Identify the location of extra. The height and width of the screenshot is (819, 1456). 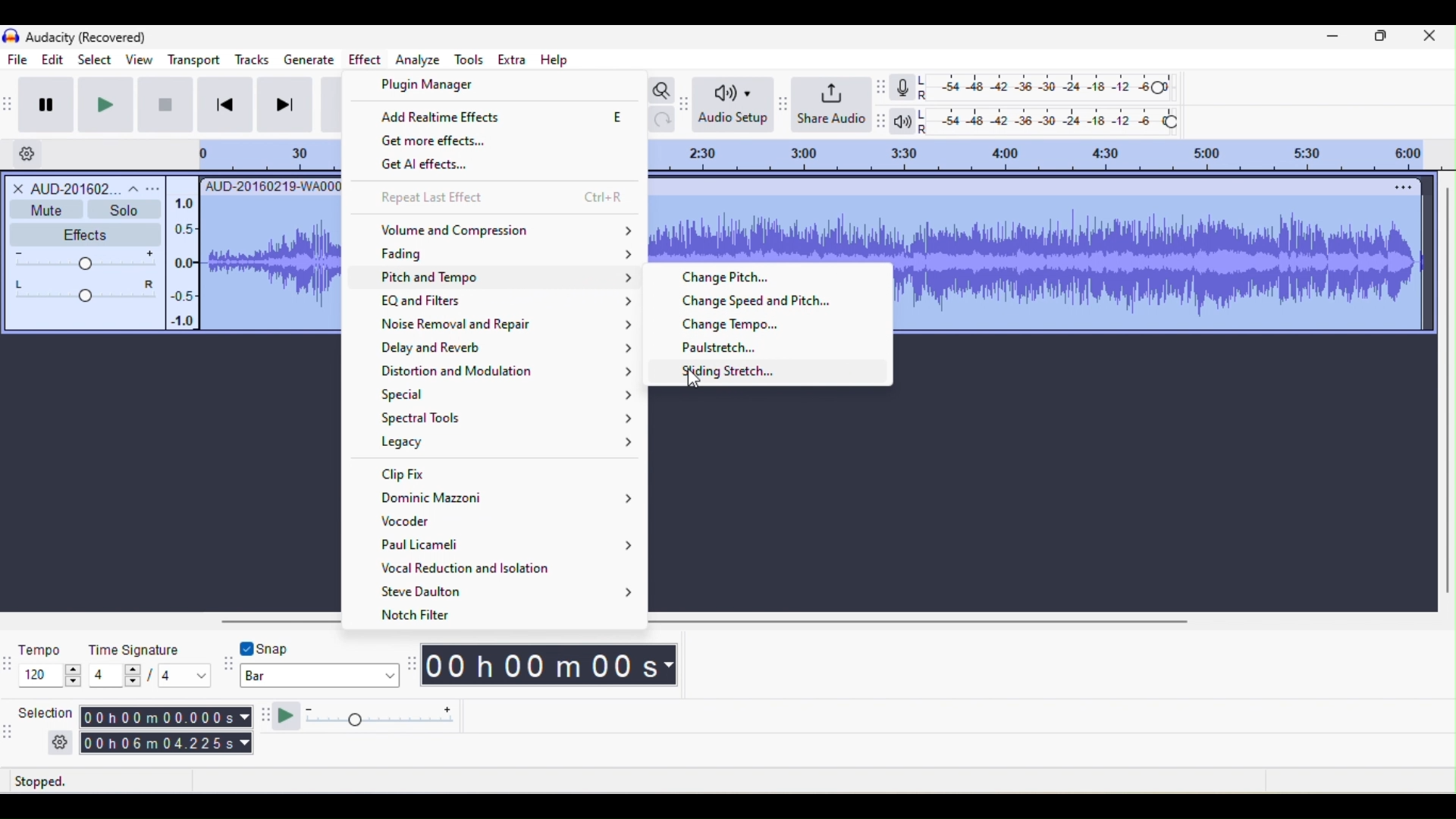
(511, 62).